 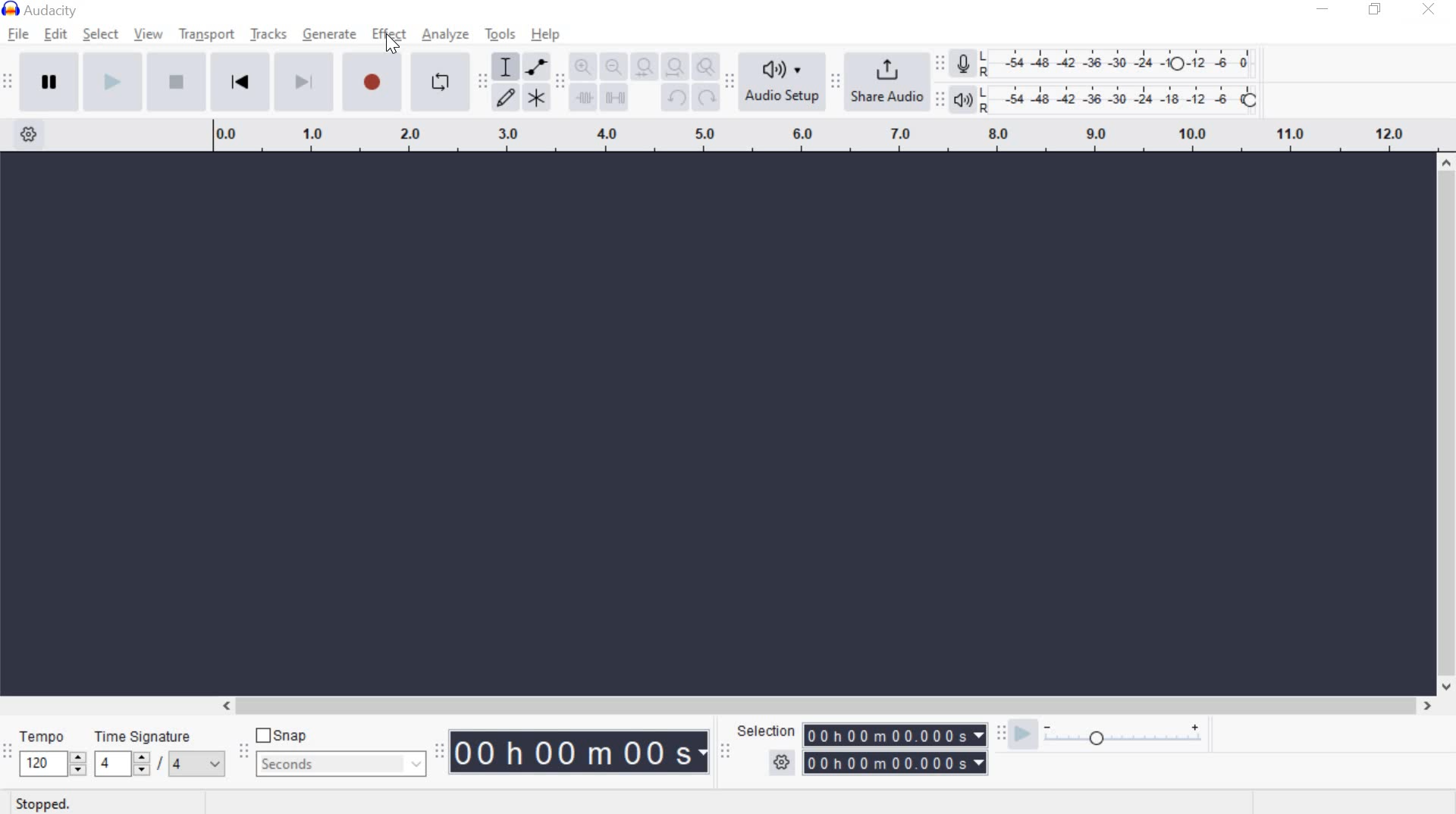 I want to click on transport, so click(x=209, y=36).